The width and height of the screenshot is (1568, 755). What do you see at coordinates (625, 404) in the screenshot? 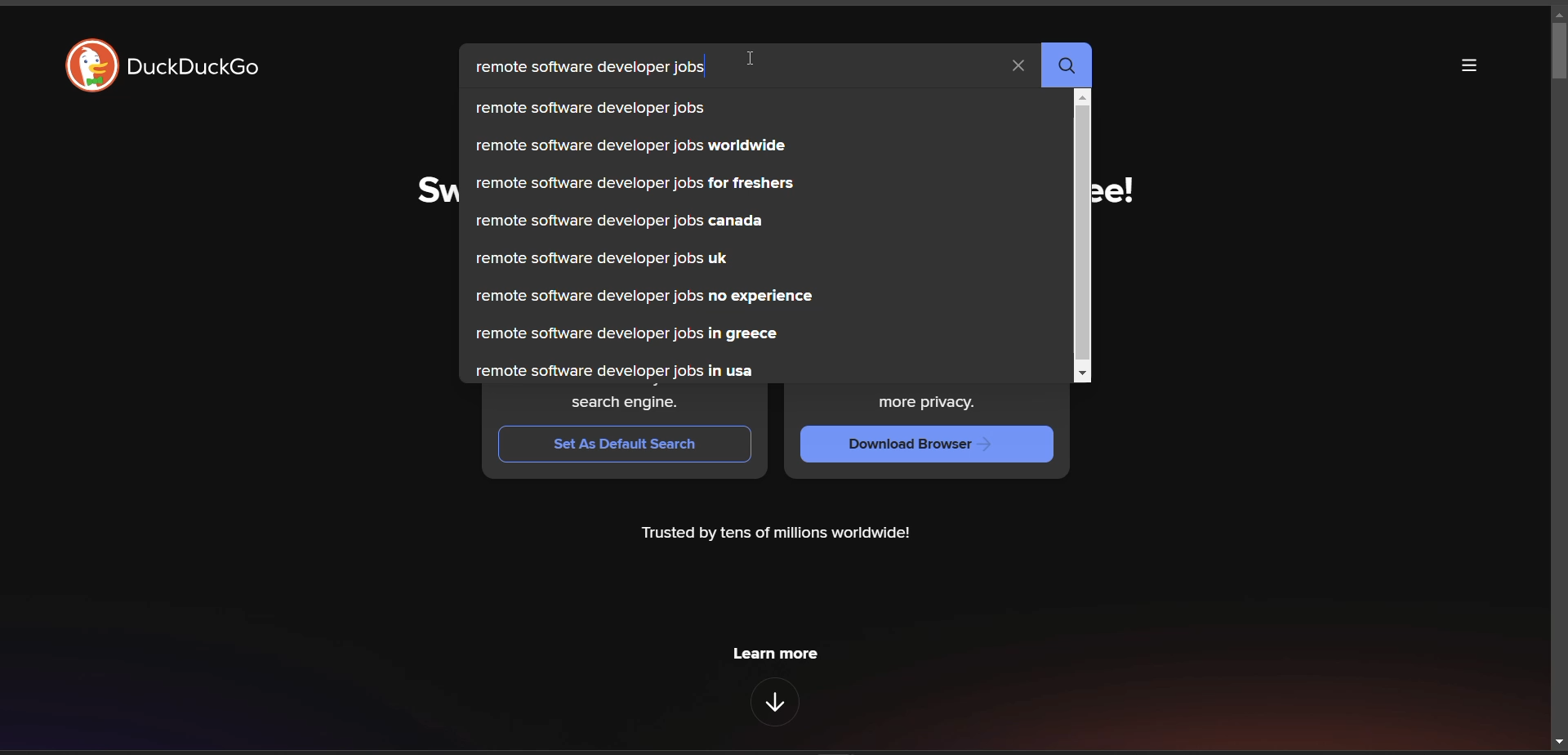
I see `search engine.` at bounding box center [625, 404].